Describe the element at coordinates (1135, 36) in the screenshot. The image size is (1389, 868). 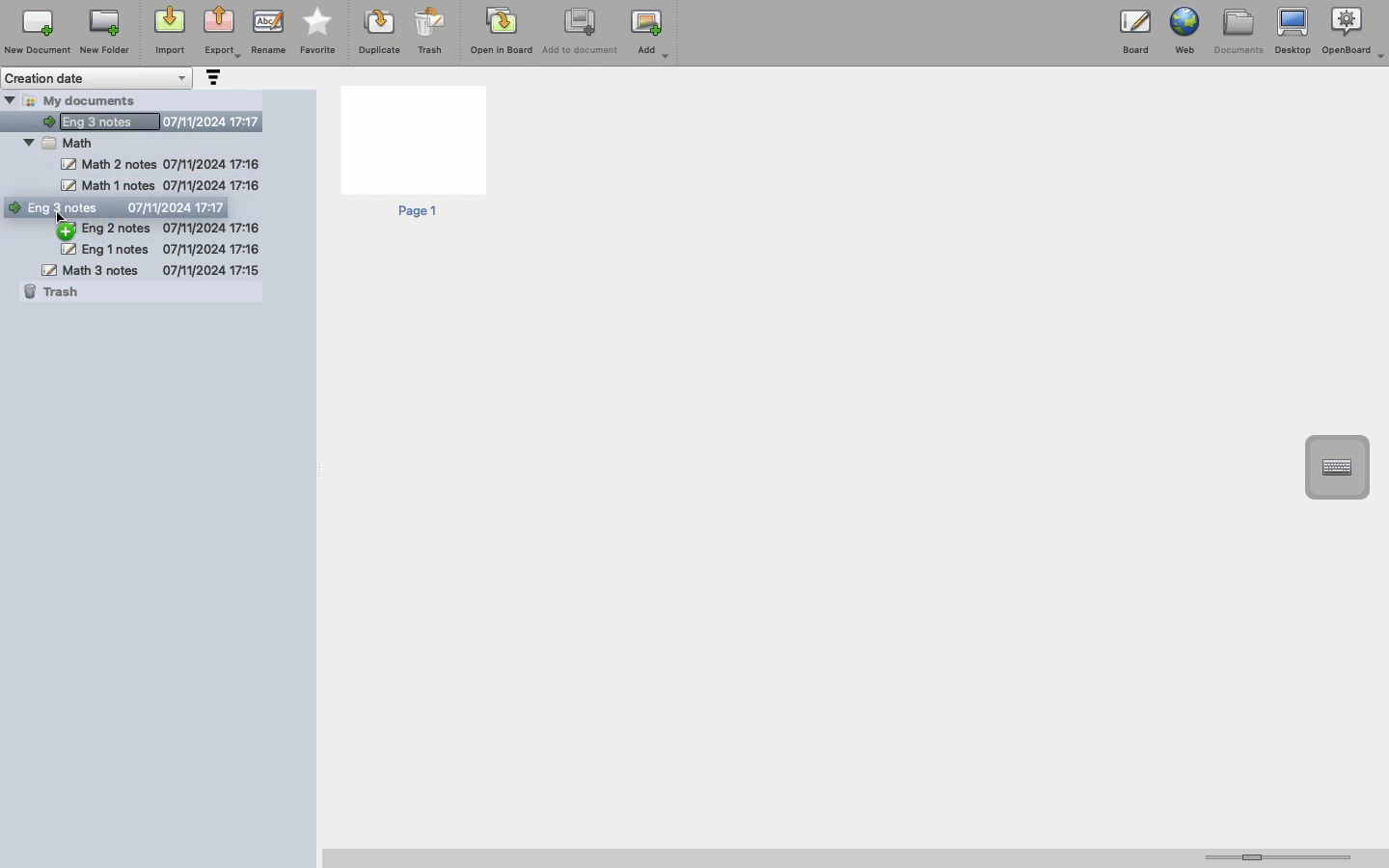
I see `Board` at that location.